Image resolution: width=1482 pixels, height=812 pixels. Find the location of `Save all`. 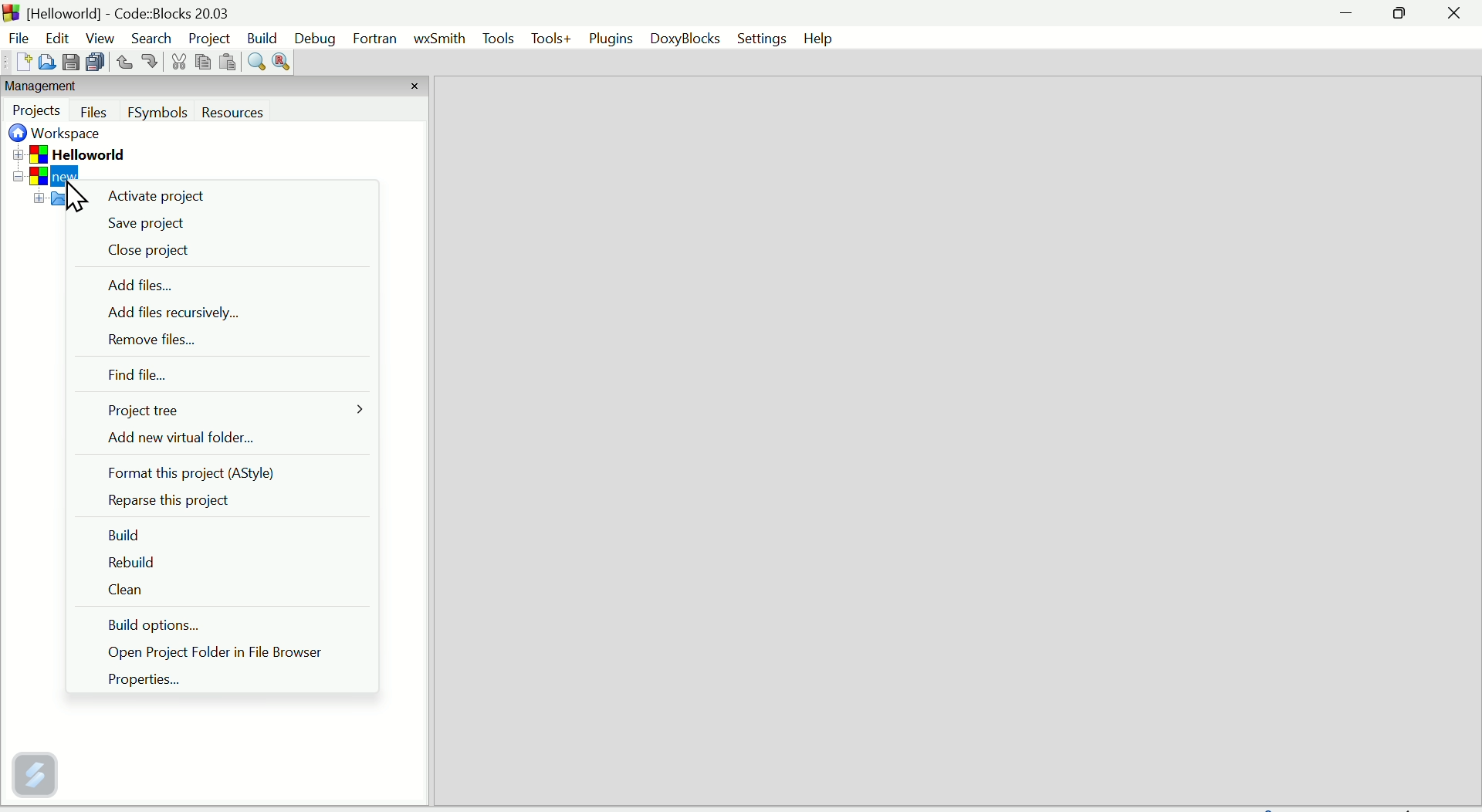

Save all is located at coordinates (98, 63).